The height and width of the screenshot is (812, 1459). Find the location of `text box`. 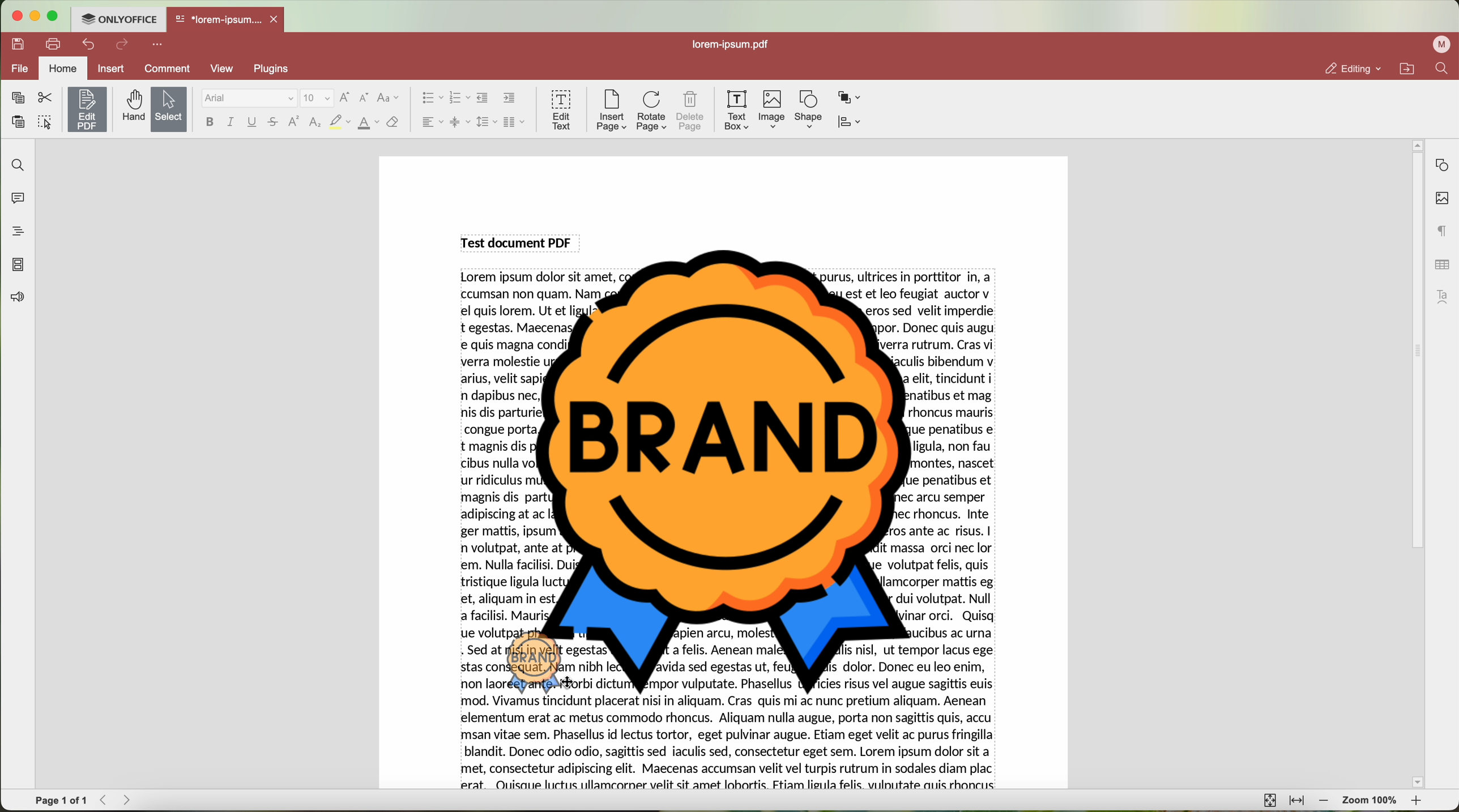

text box is located at coordinates (737, 110).